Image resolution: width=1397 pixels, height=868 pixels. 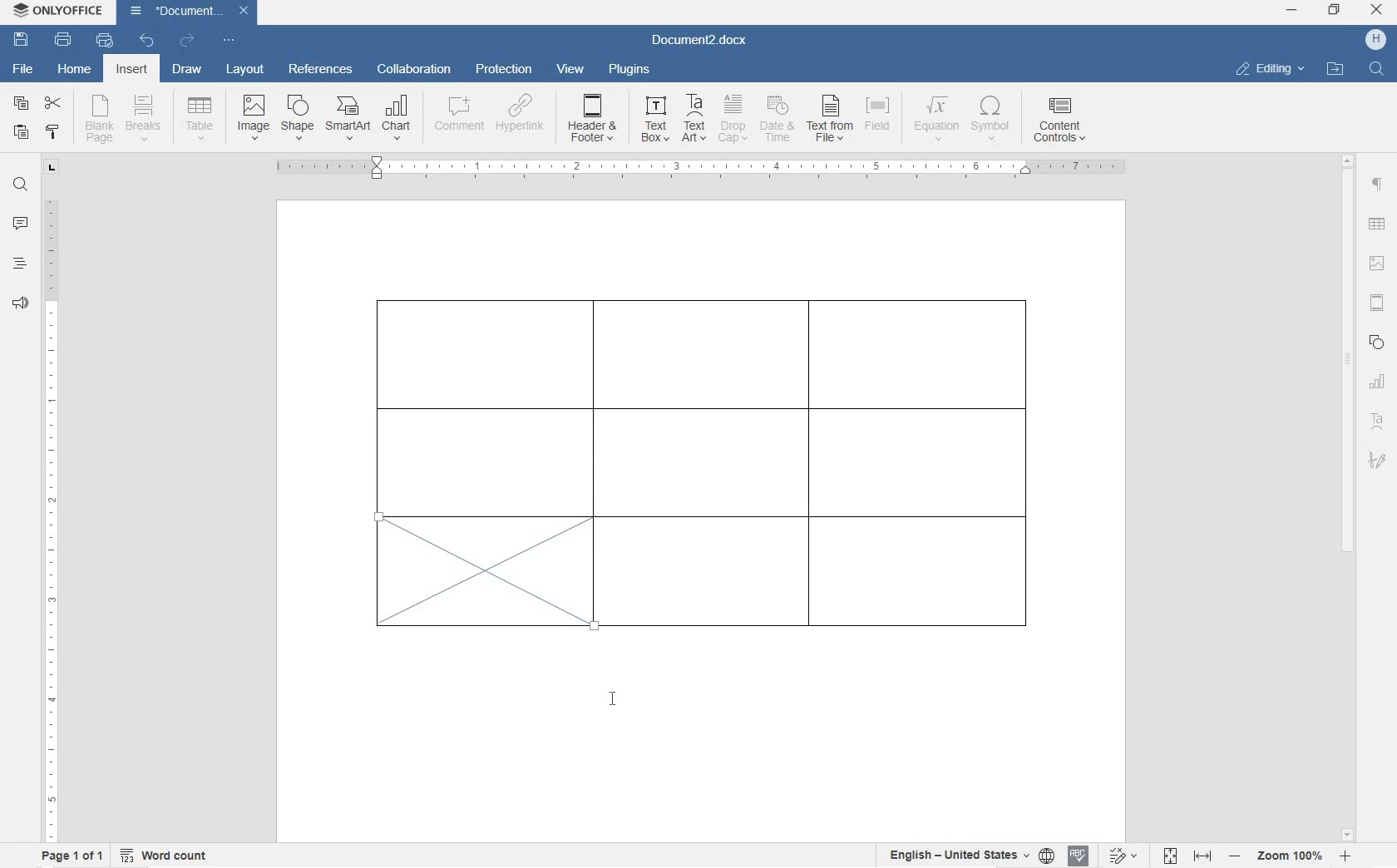 What do you see at coordinates (969, 857) in the screenshot?
I see `select text or document language` at bounding box center [969, 857].